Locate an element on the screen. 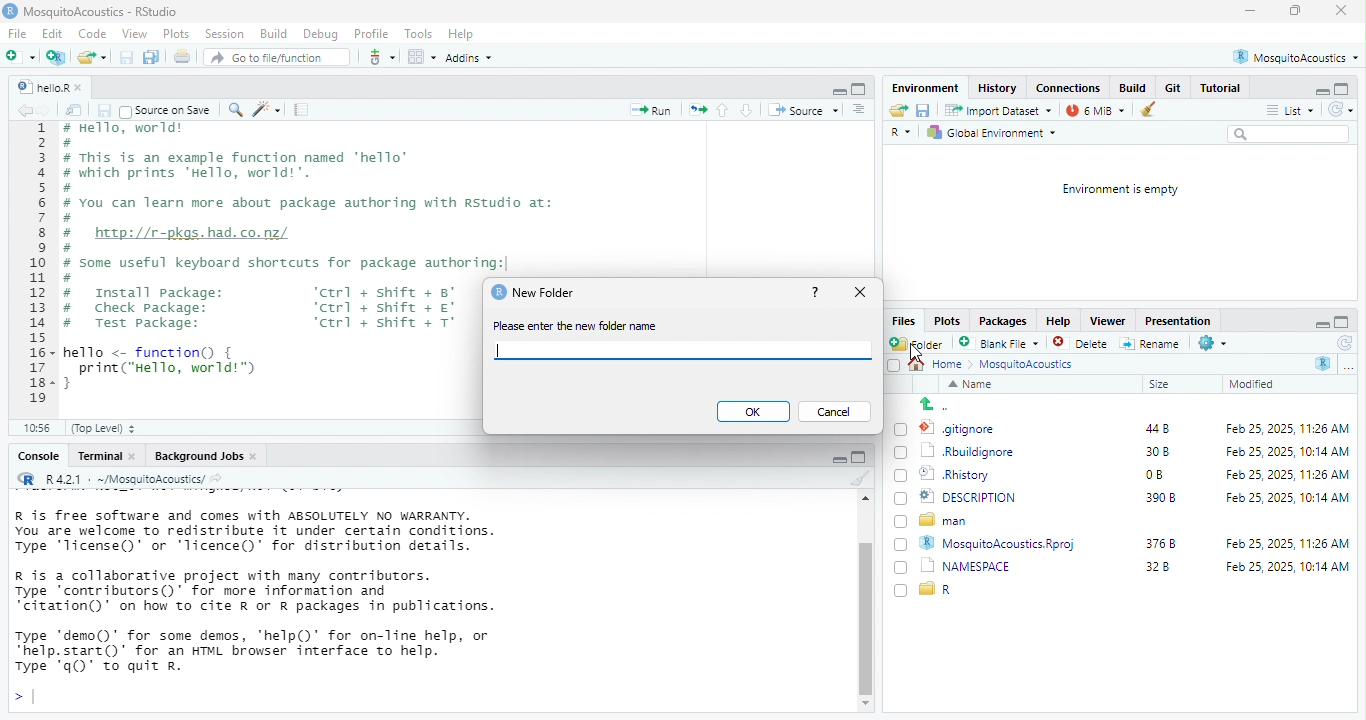 This screenshot has height=720, width=1366. save current document is located at coordinates (928, 112).